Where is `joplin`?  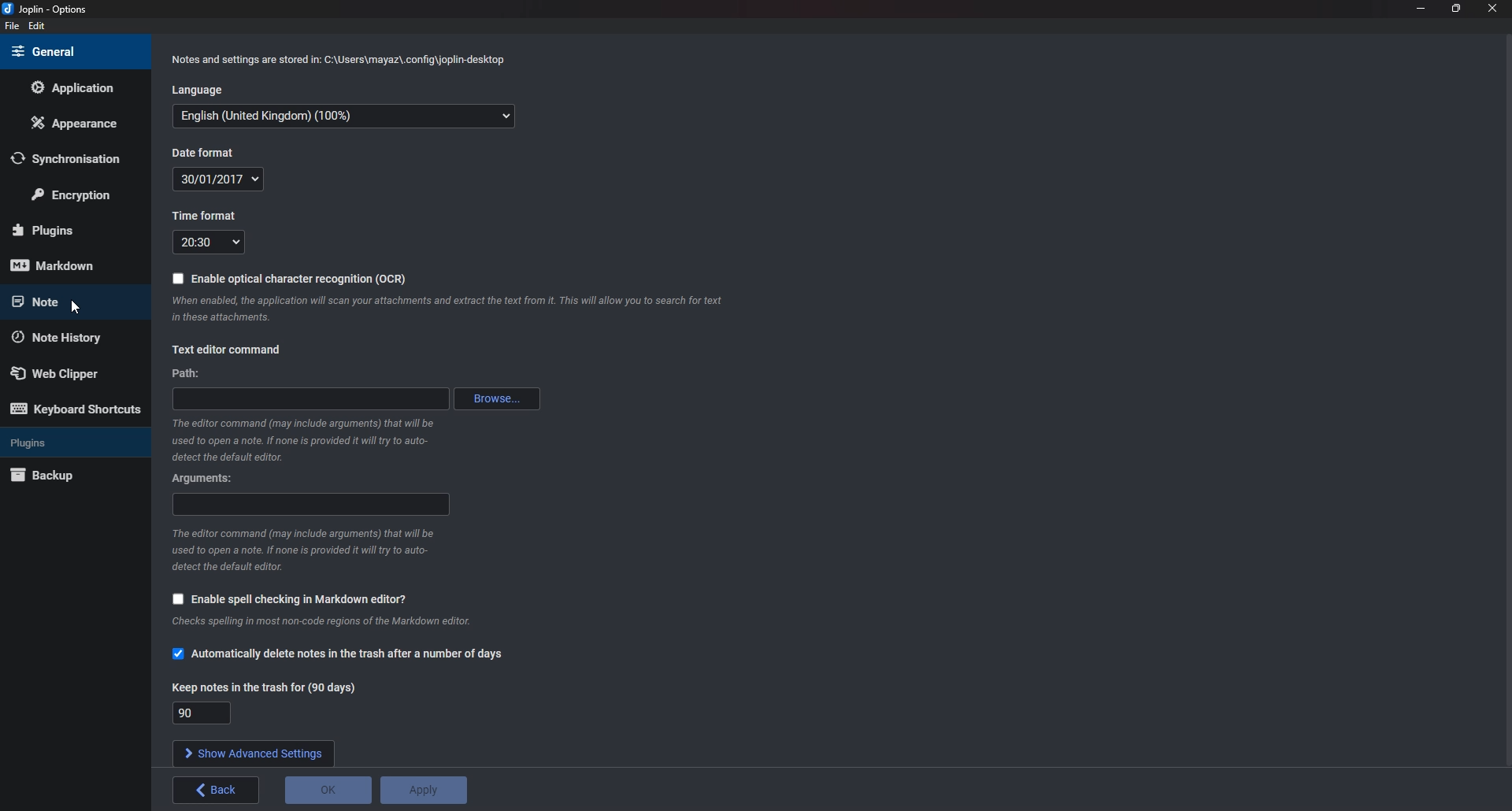 joplin is located at coordinates (54, 9).